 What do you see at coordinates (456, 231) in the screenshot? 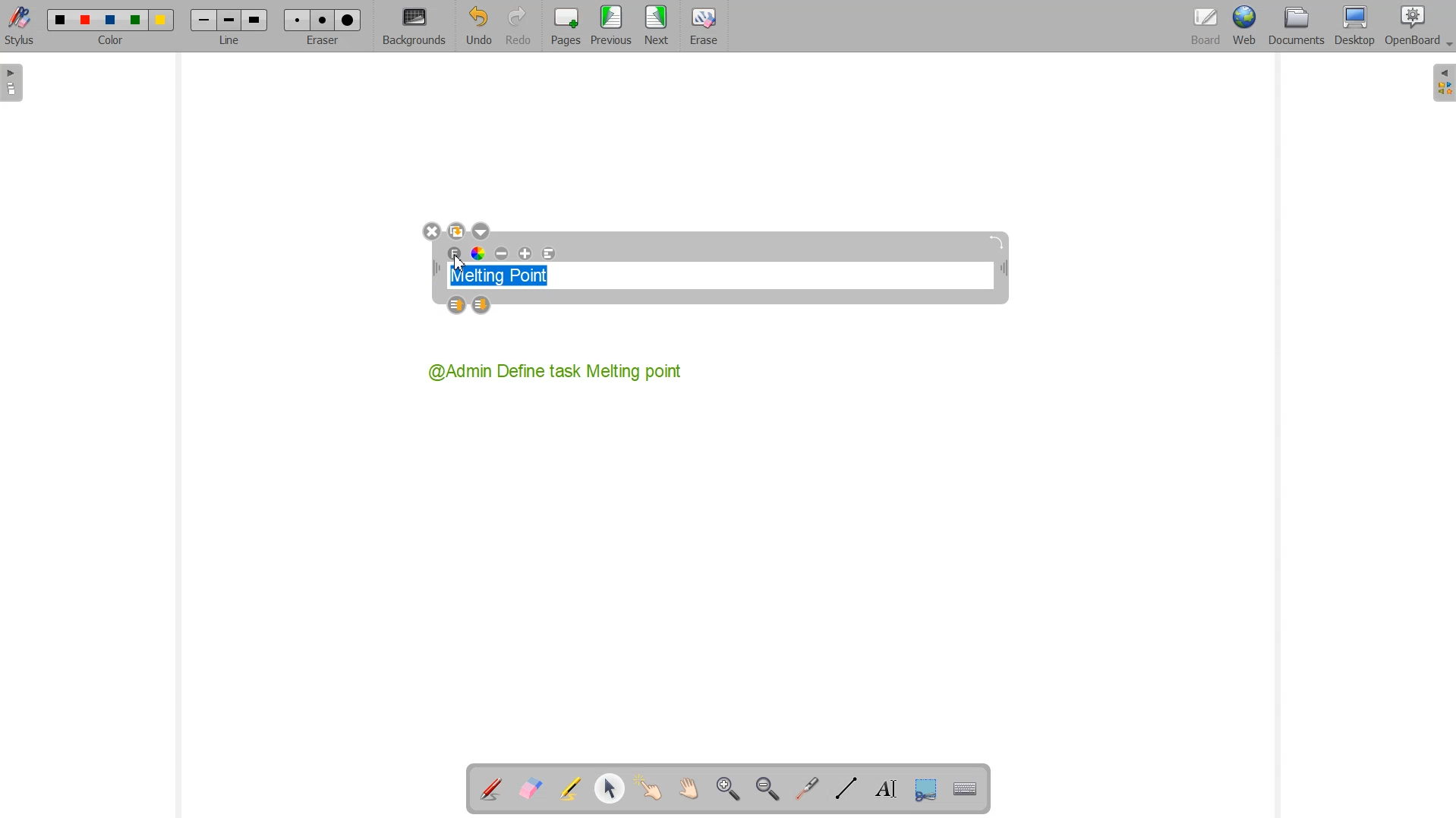
I see `Duplicate` at bounding box center [456, 231].